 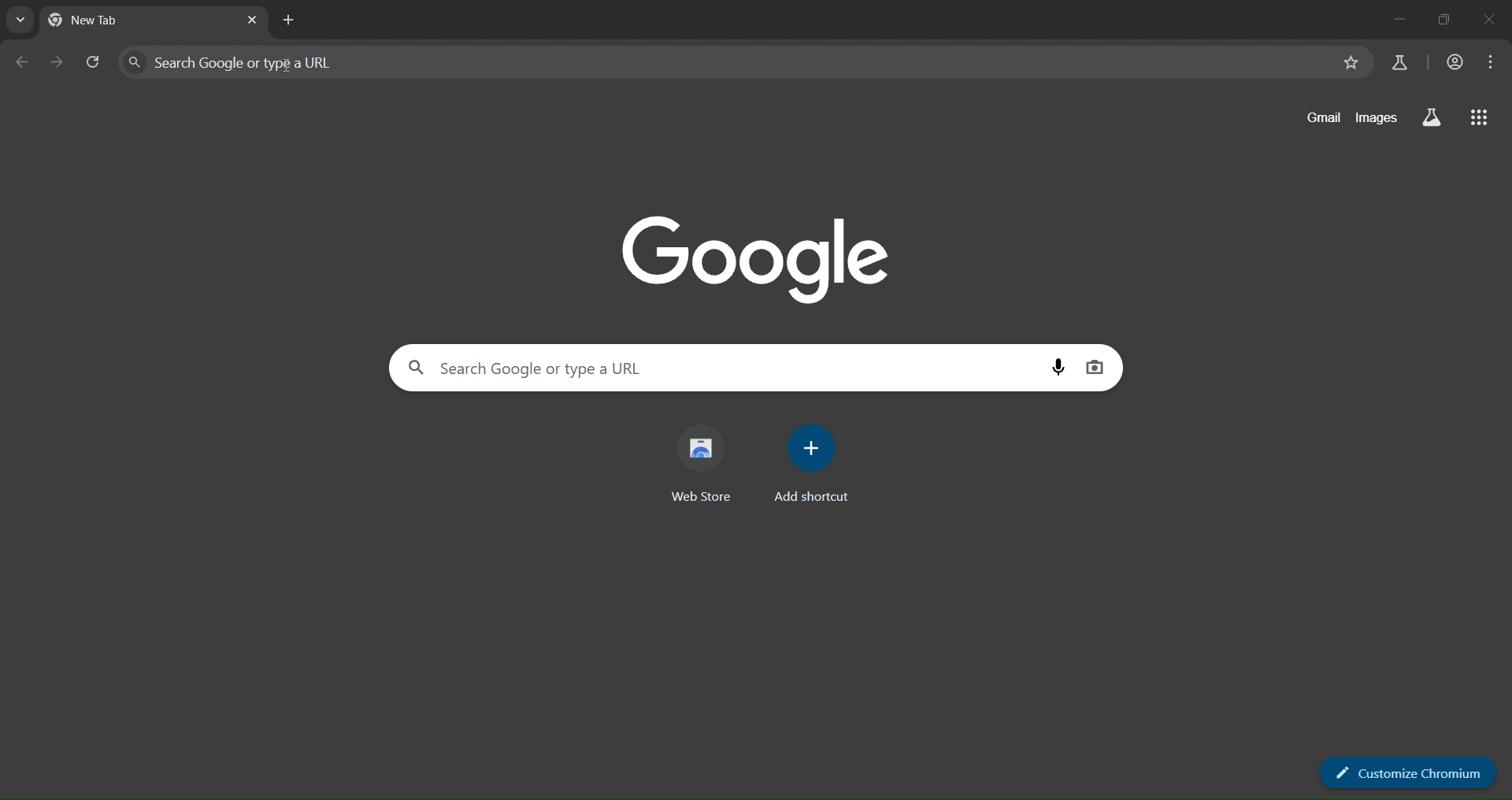 What do you see at coordinates (1405, 768) in the screenshot?
I see `customize chrome` at bounding box center [1405, 768].